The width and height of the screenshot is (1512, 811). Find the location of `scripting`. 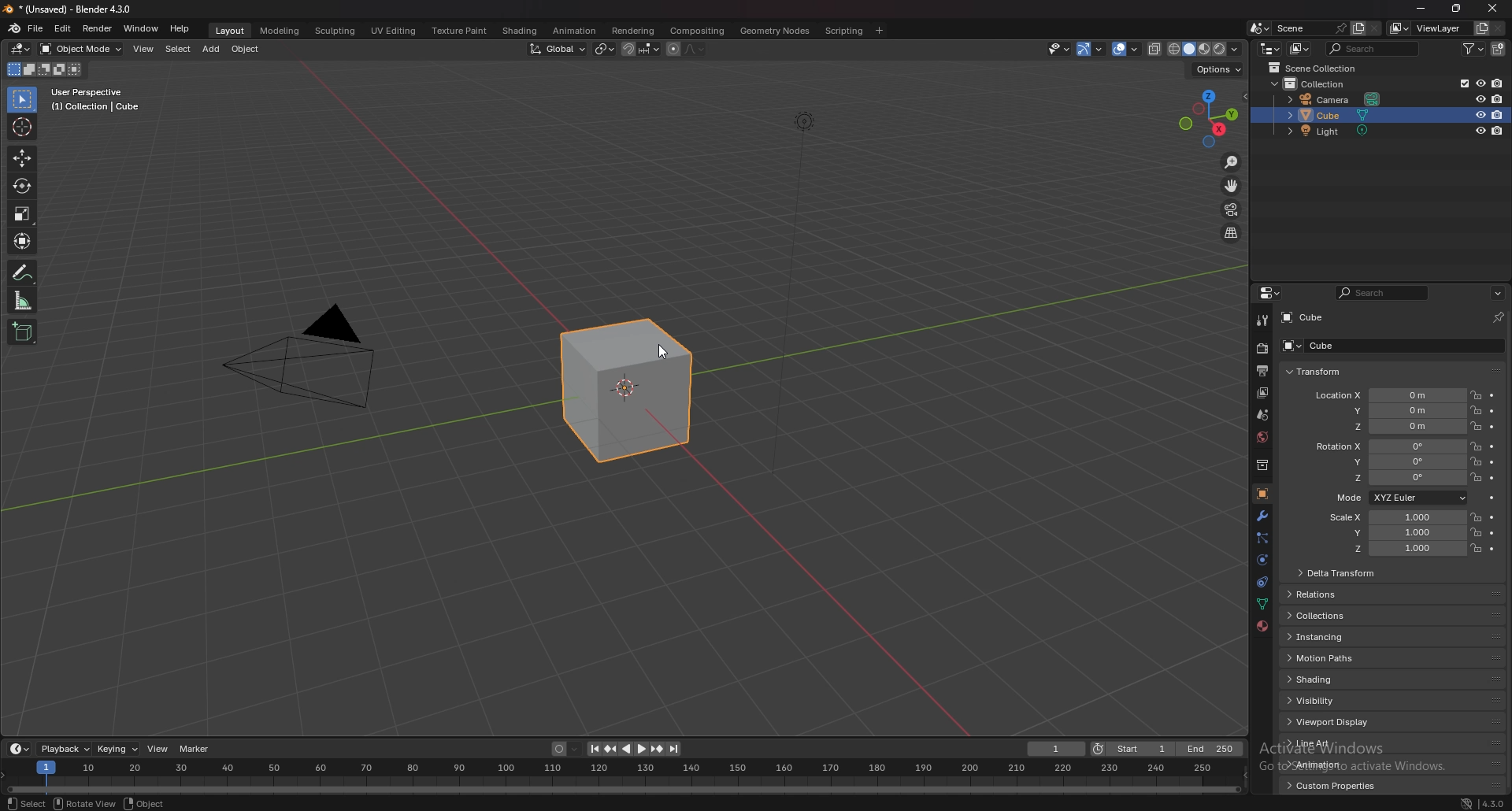

scripting is located at coordinates (842, 31).